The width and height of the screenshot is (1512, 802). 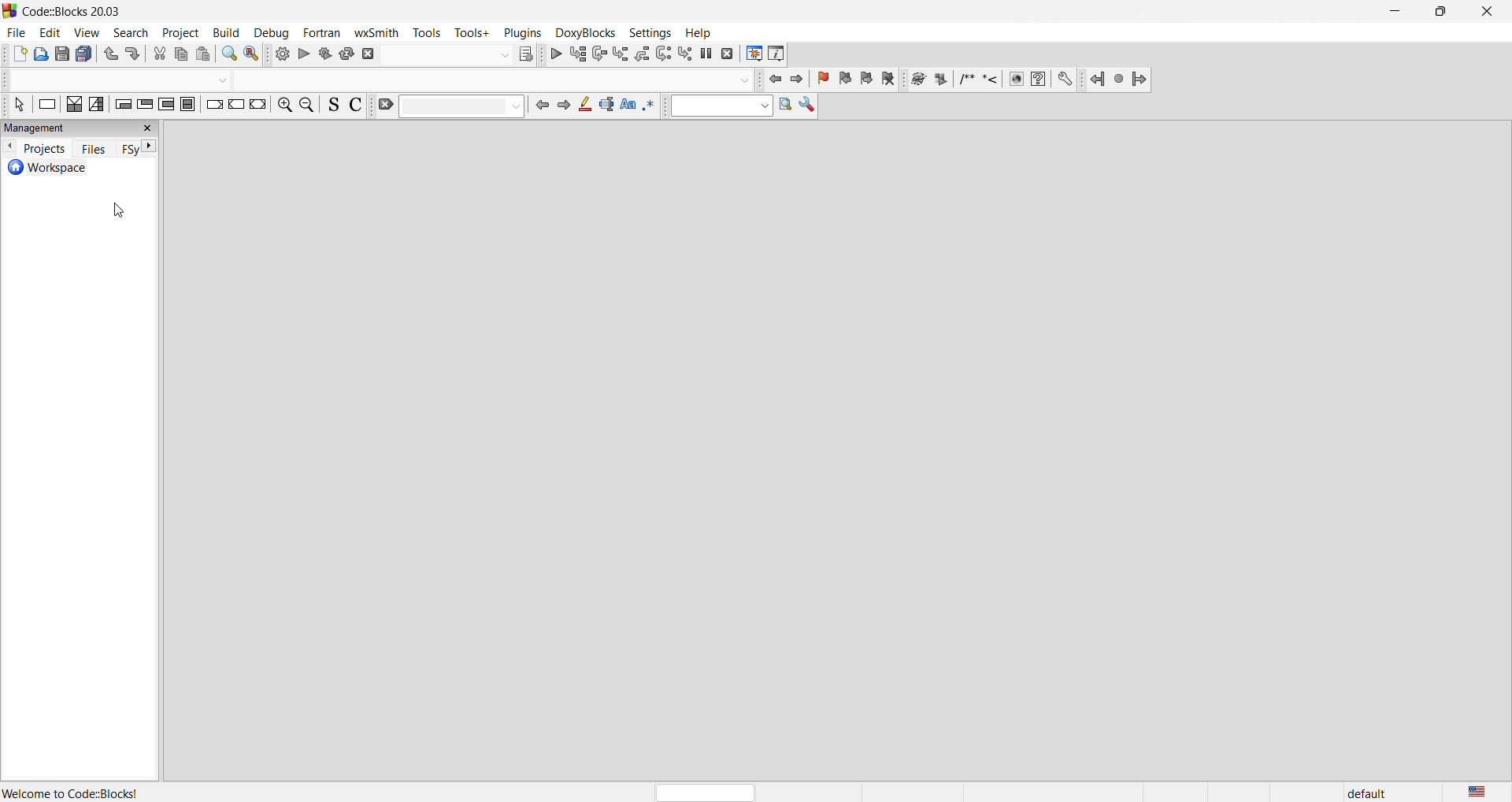 What do you see at coordinates (259, 106) in the screenshot?
I see `return instruction` at bounding box center [259, 106].